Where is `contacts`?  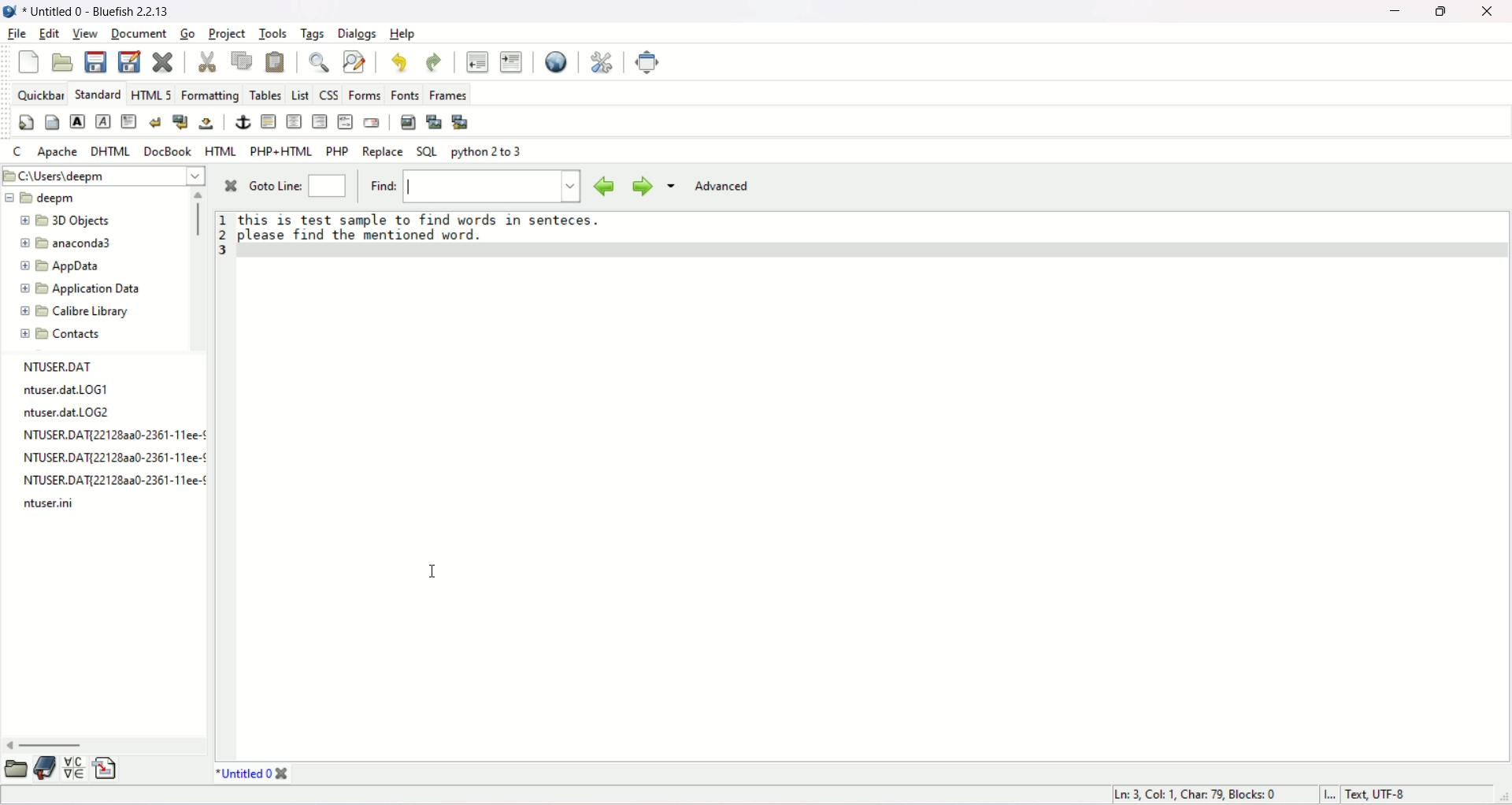 contacts is located at coordinates (65, 334).